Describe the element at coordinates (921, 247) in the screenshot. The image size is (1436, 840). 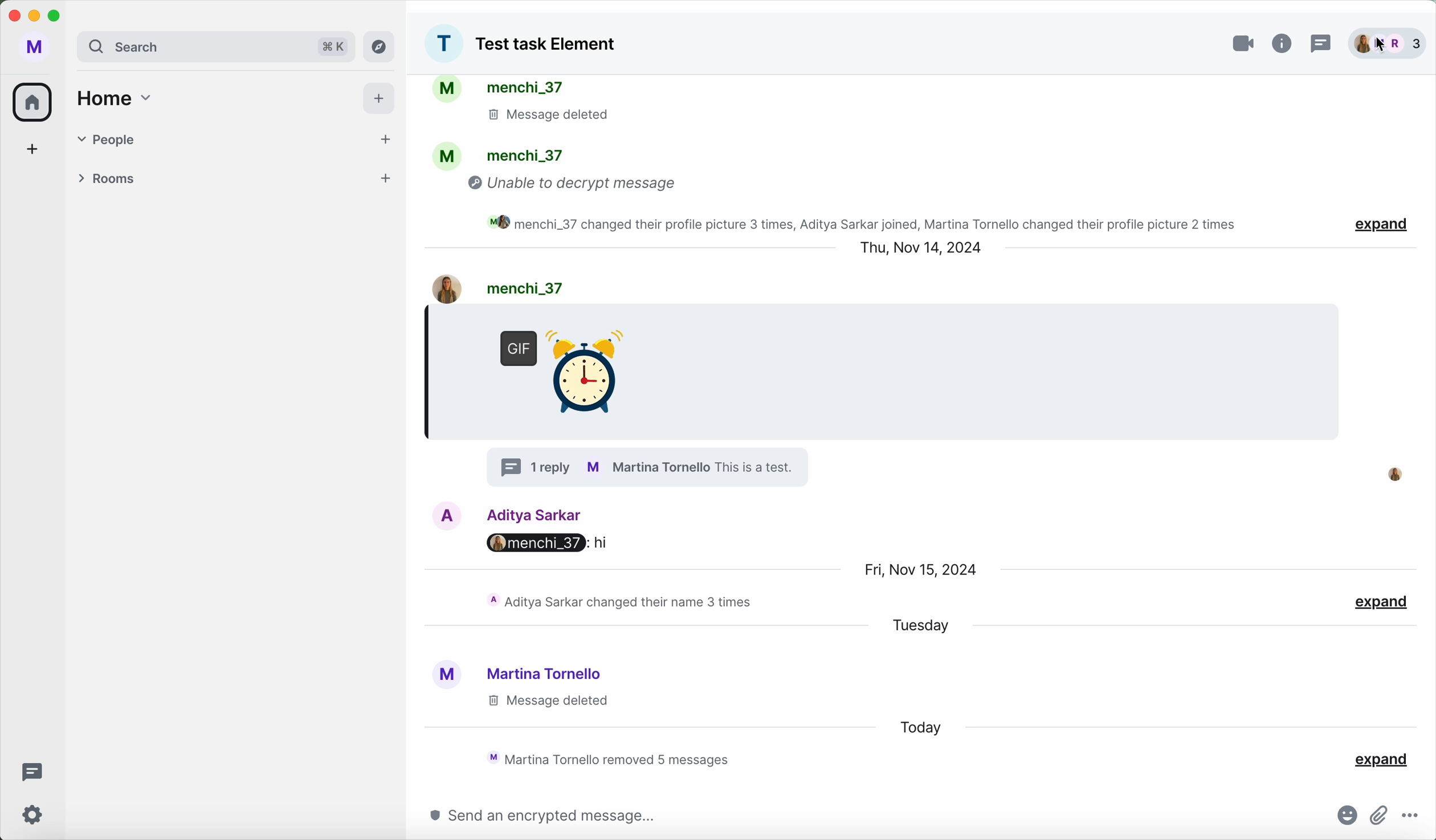
I see `date` at that location.